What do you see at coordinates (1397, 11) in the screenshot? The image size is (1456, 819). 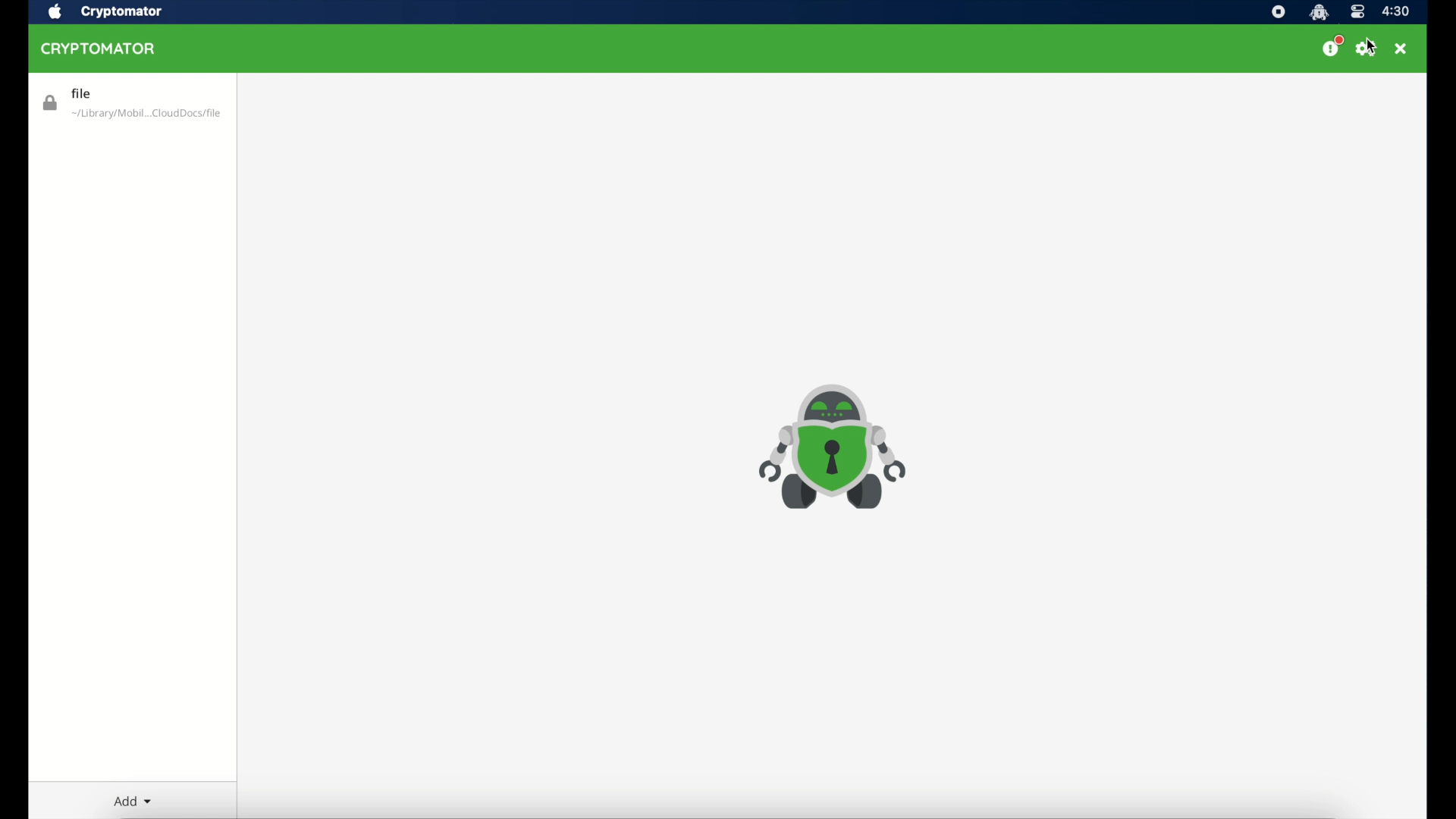 I see `time` at bounding box center [1397, 11].